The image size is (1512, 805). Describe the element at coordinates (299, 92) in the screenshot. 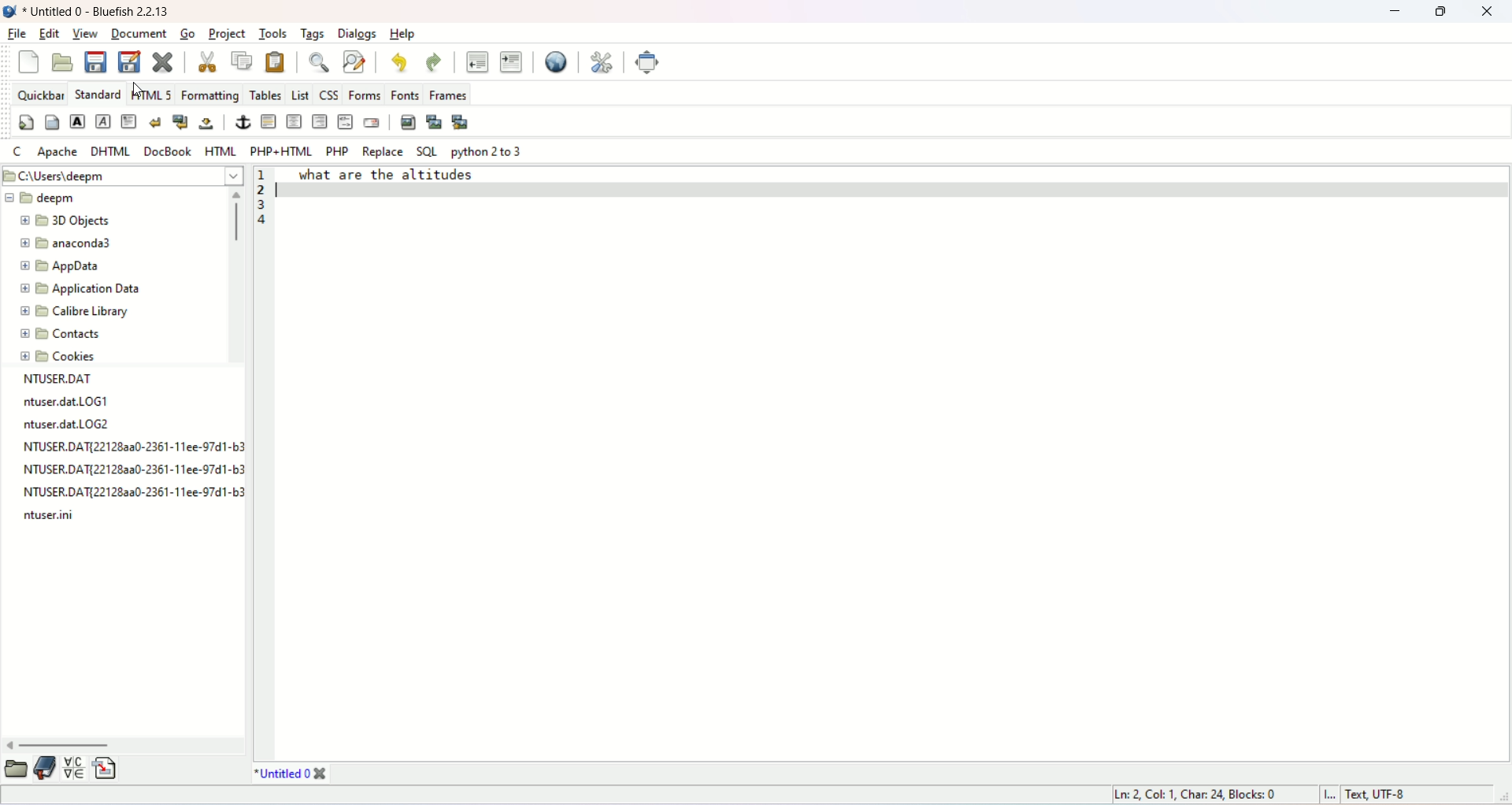

I see `list` at that location.